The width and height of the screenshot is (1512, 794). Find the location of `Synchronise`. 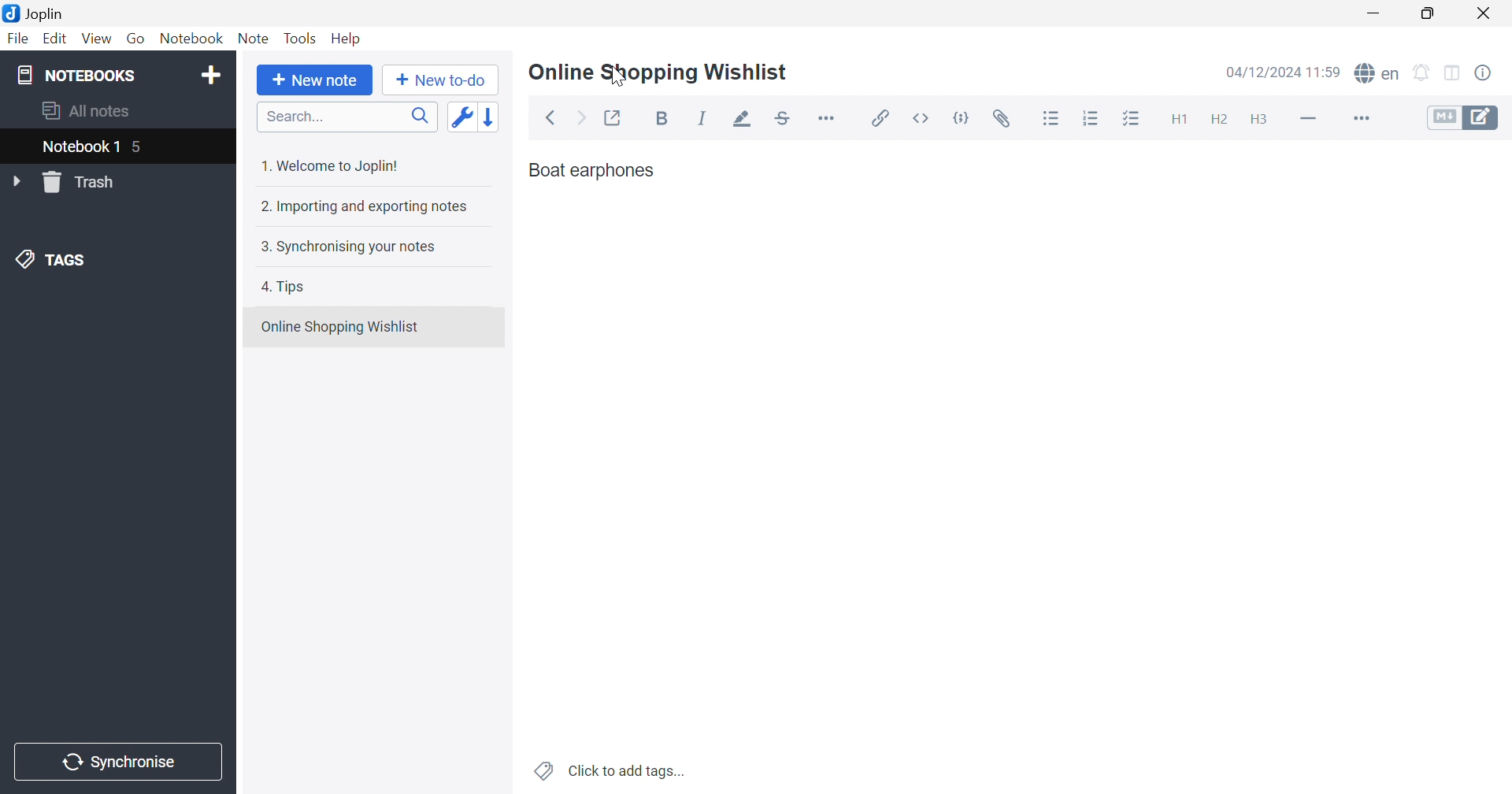

Synchronise is located at coordinates (117, 762).